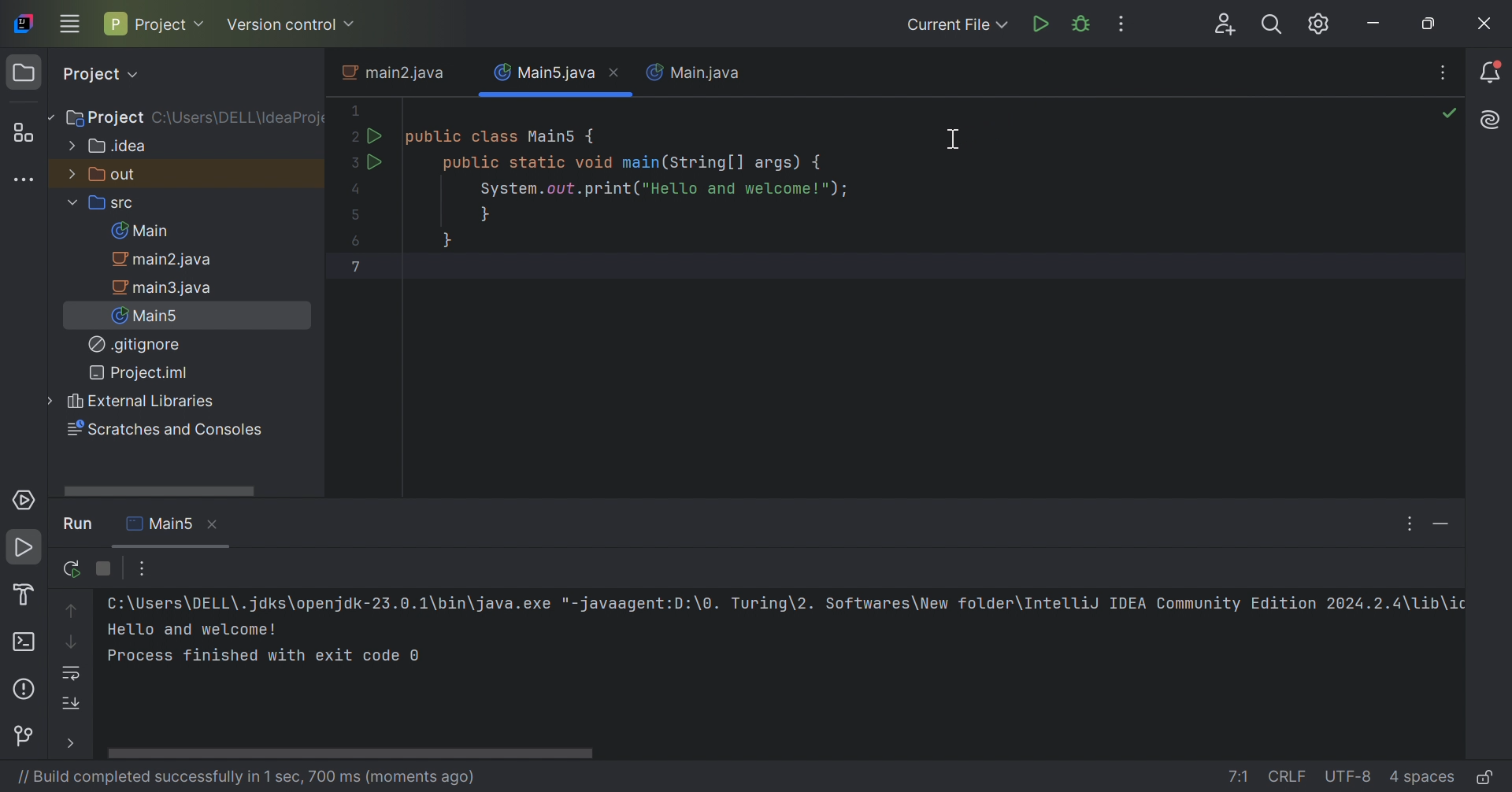  What do you see at coordinates (1039, 25) in the screenshot?
I see `Run` at bounding box center [1039, 25].